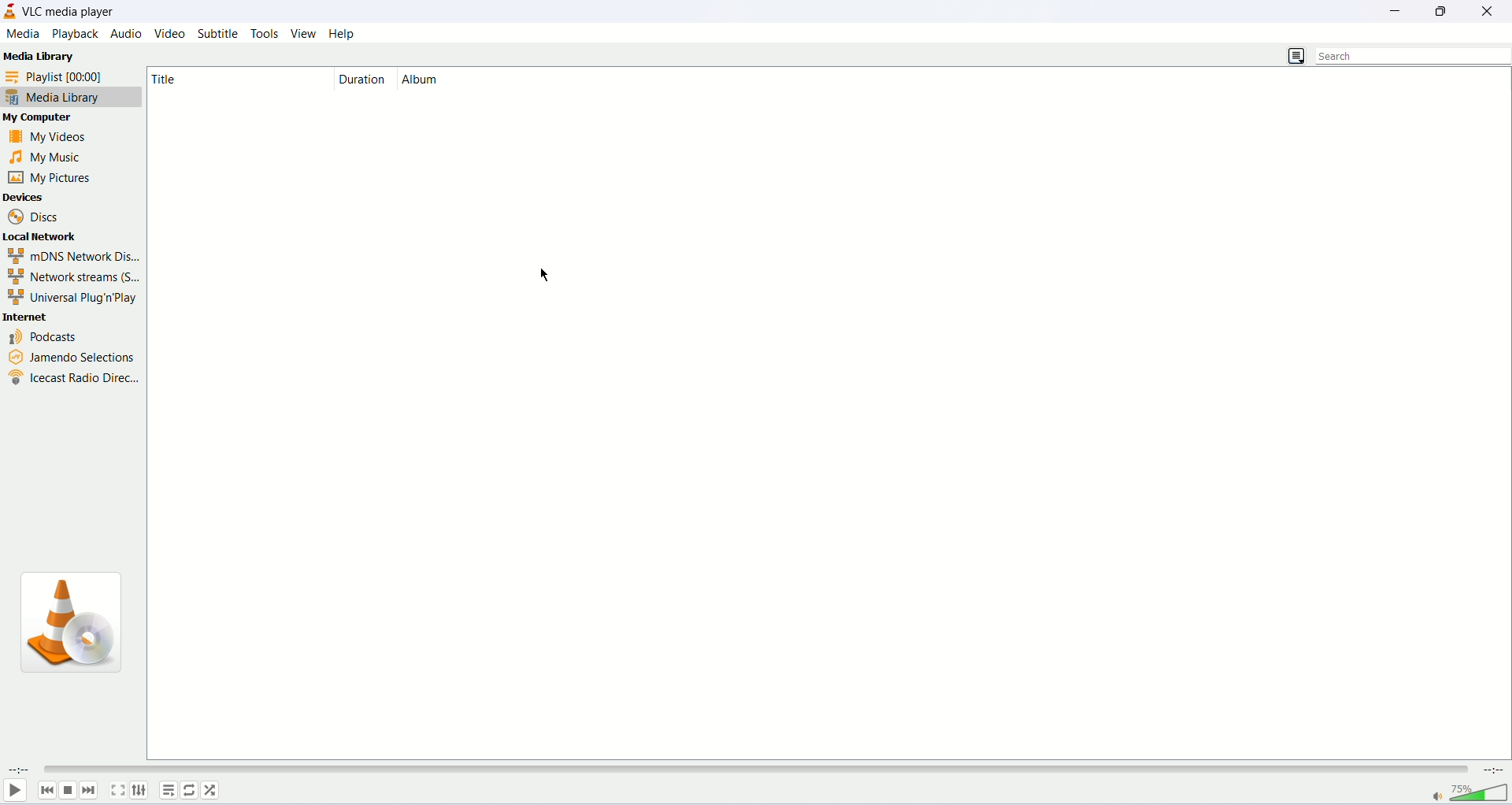  Describe the element at coordinates (73, 33) in the screenshot. I see `playback` at that location.